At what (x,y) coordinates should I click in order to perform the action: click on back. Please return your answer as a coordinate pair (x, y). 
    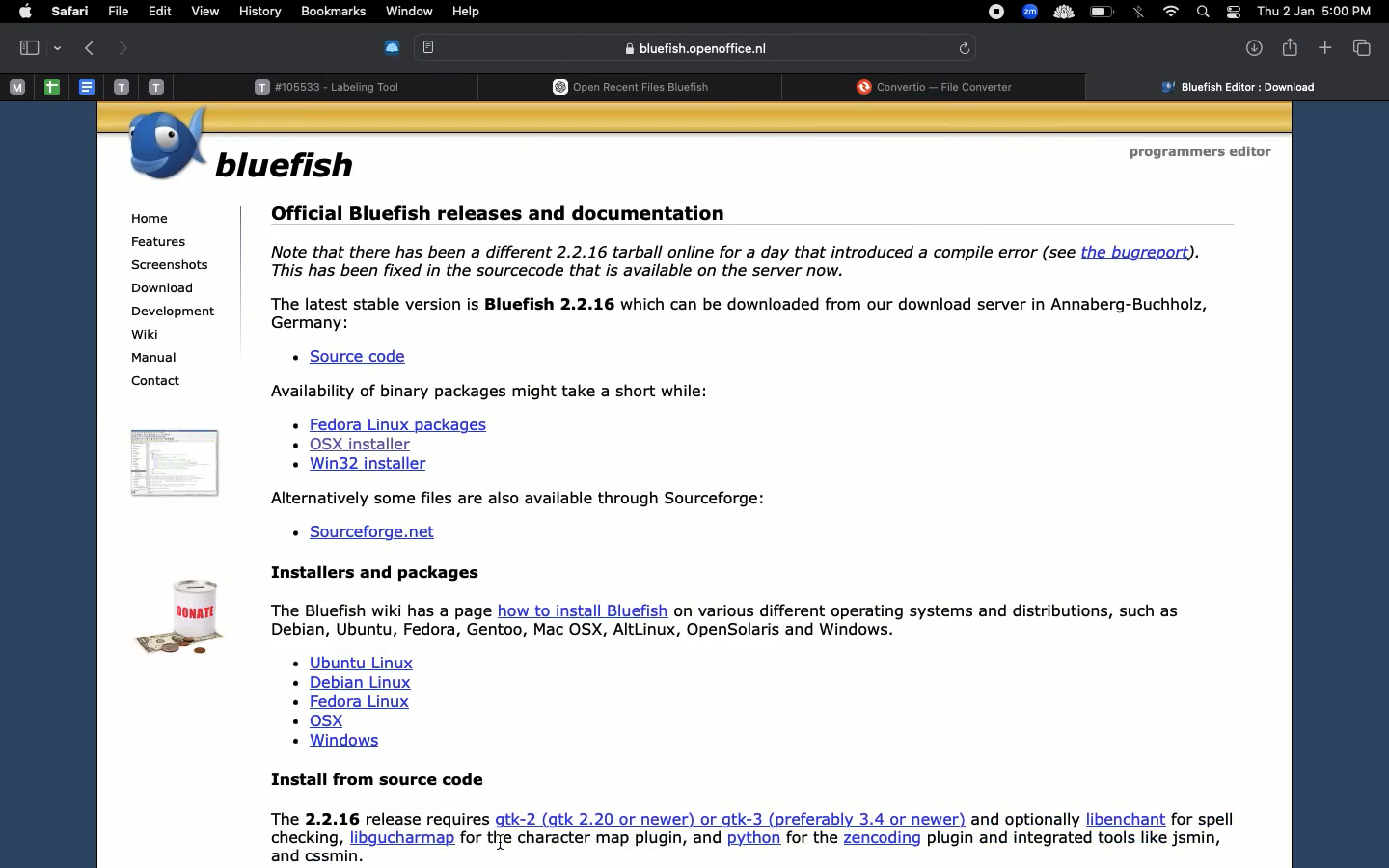
    Looking at the image, I should click on (91, 47).